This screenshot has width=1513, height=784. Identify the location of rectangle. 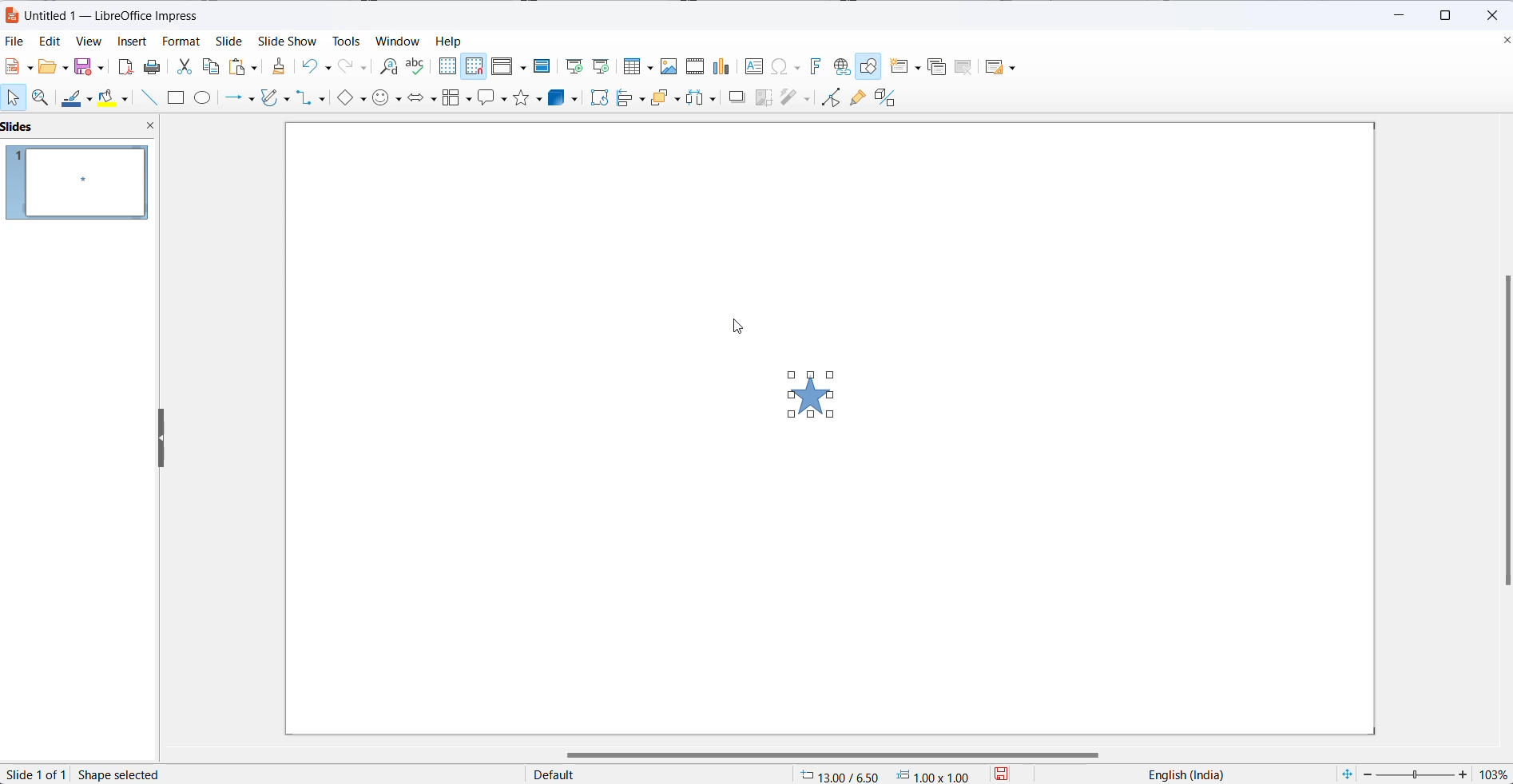
(178, 99).